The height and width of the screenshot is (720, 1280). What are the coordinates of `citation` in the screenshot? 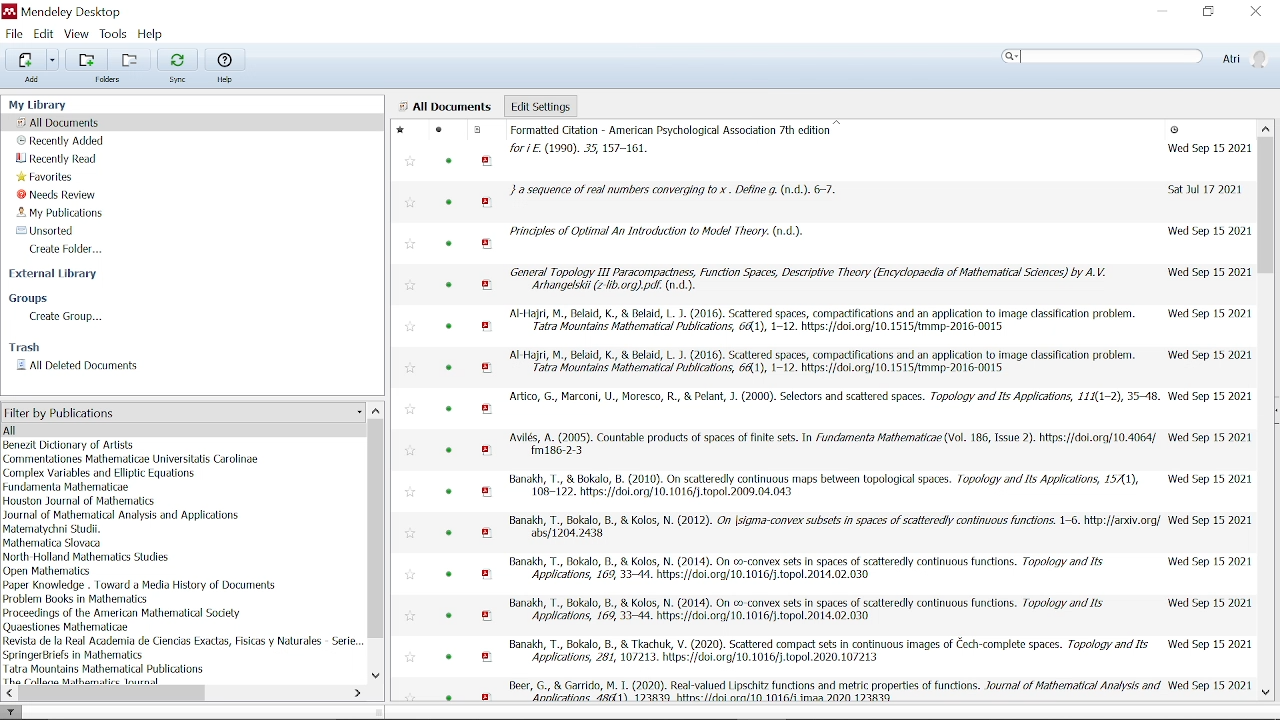 It's located at (833, 396).